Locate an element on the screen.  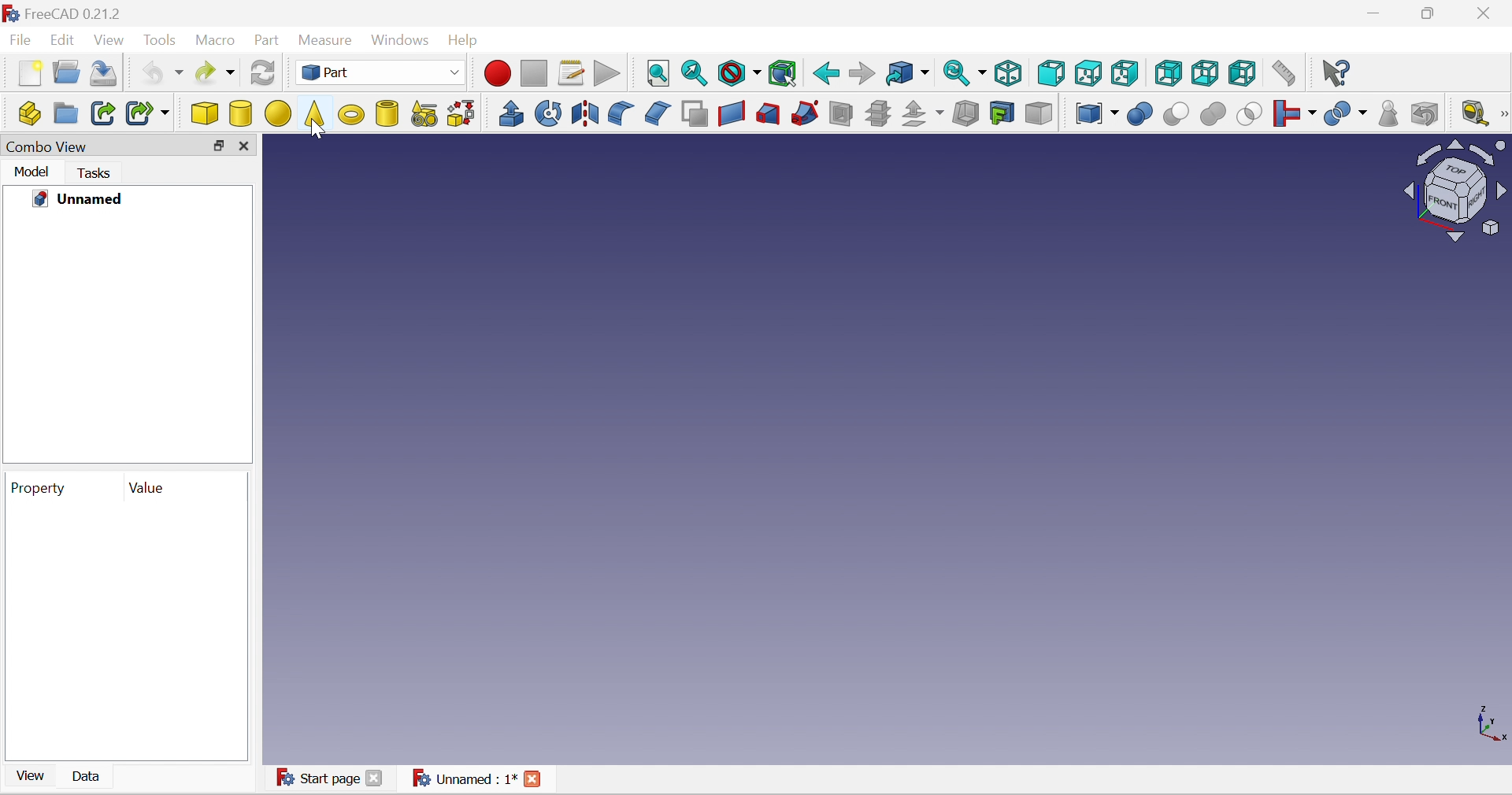
Restore down is located at coordinates (1428, 15).